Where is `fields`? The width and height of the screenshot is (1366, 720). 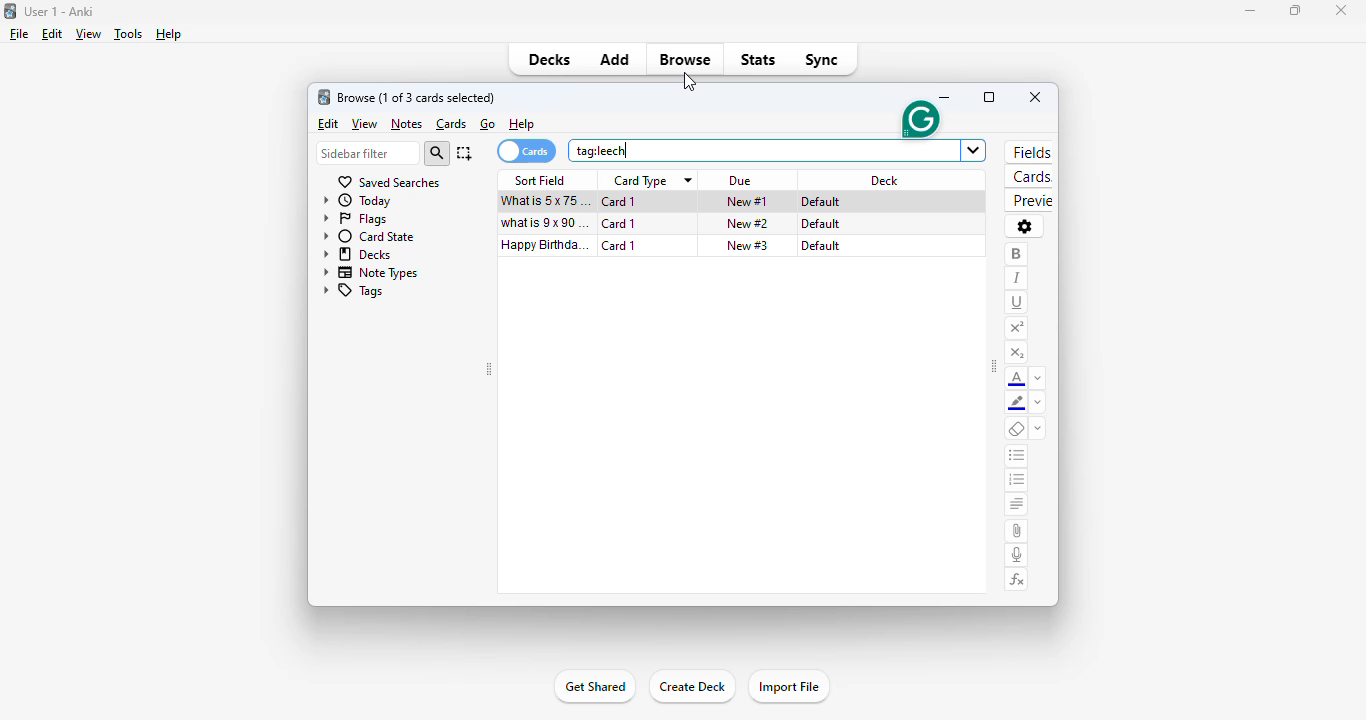
fields is located at coordinates (1031, 152).